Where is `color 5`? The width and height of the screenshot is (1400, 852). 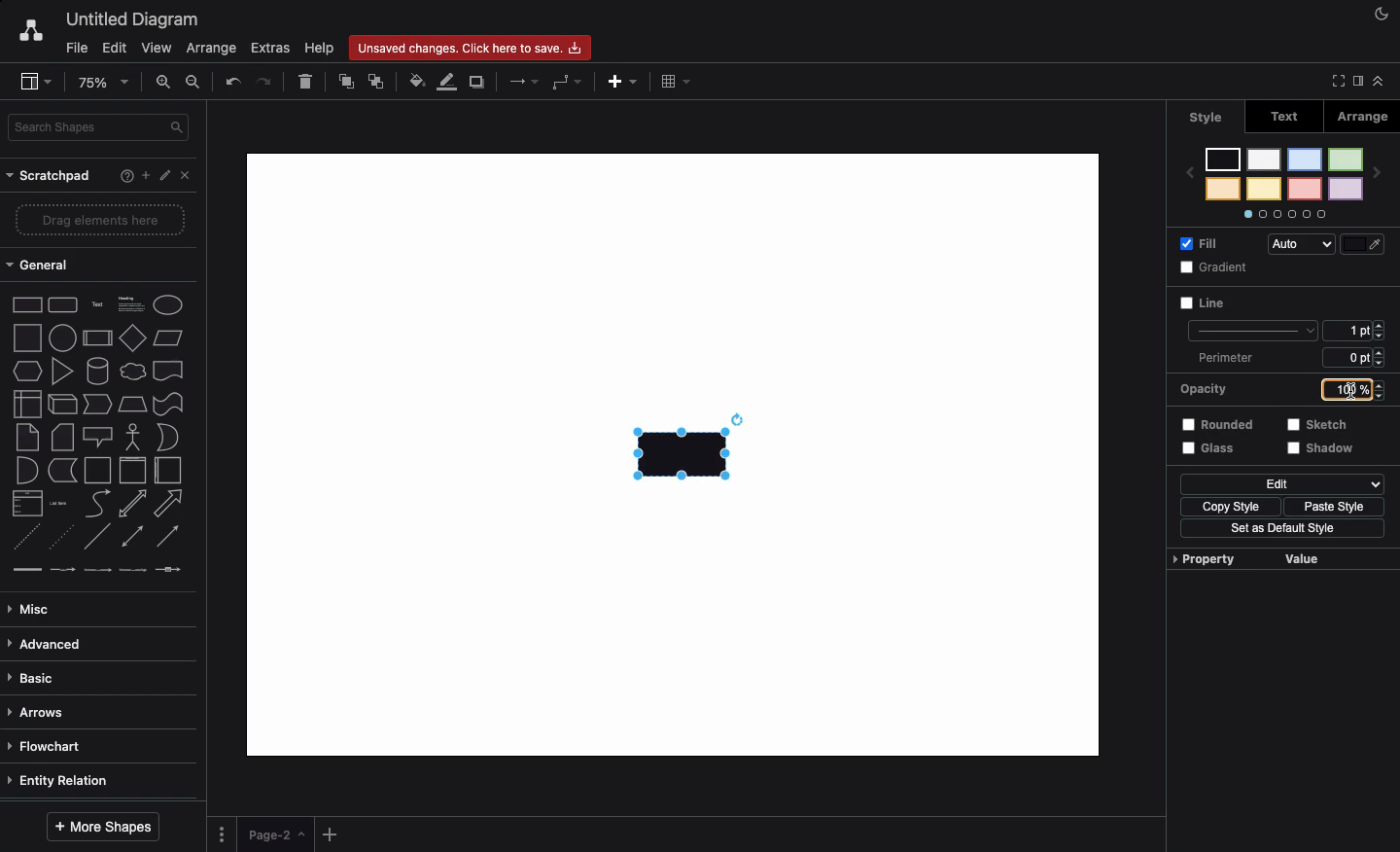
color 5 is located at coordinates (1264, 160).